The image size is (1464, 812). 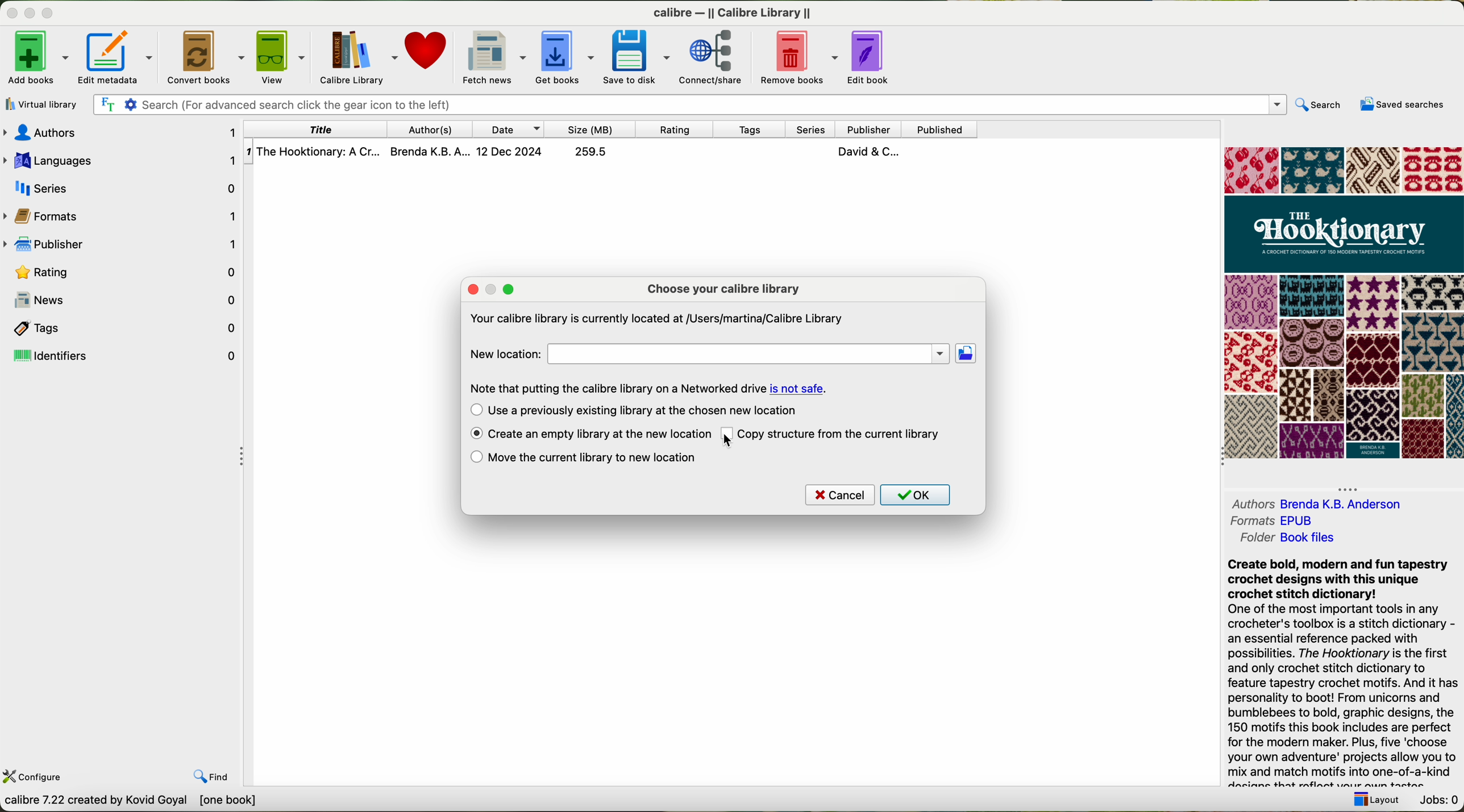 What do you see at coordinates (204, 56) in the screenshot?
I see `convert books` at bounding box center [204, 56].